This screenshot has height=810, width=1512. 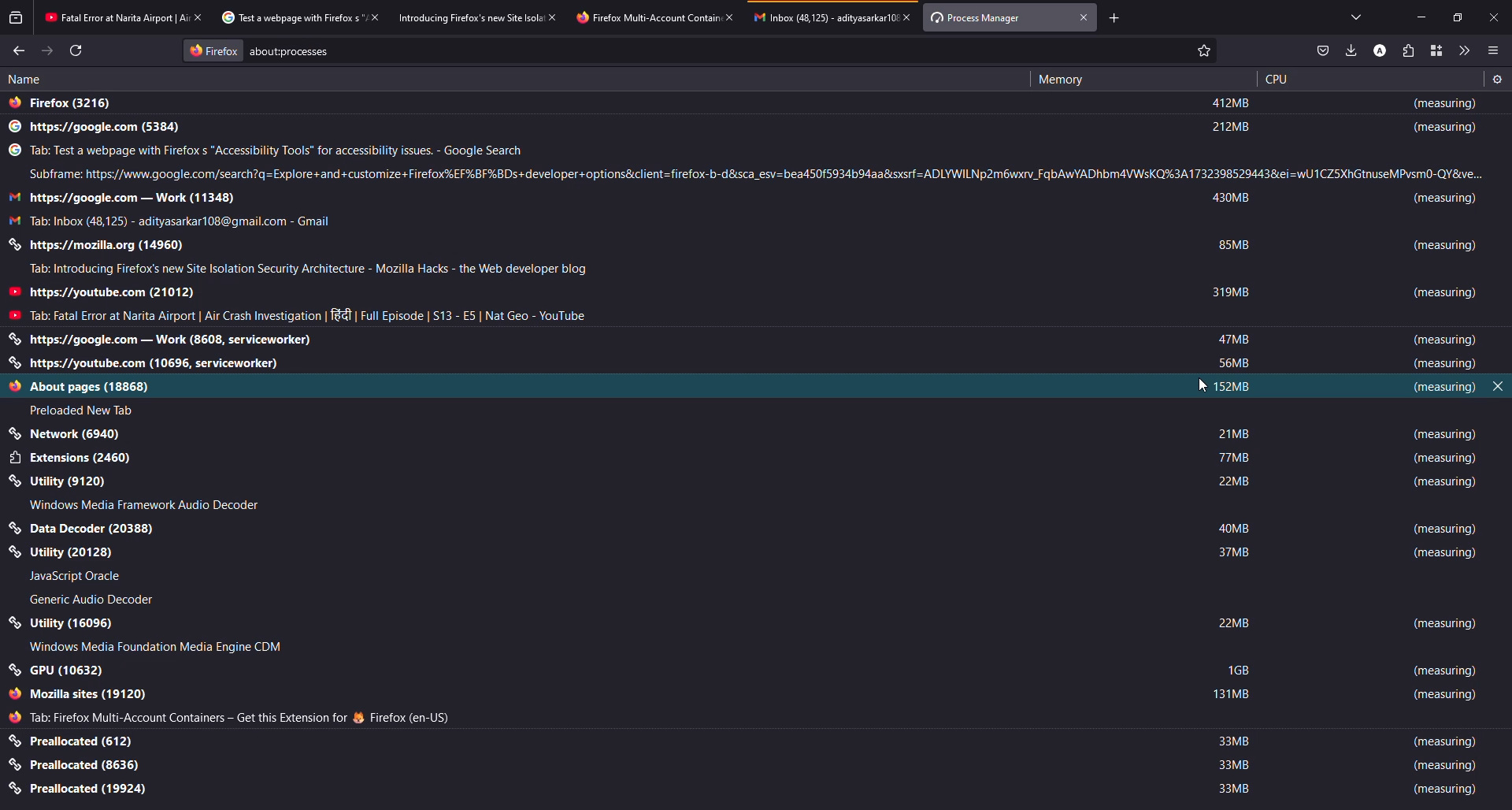 What do you see at coordinates (1232, 340) in the screenshot?
I see `47 mb` at bounding box center [1232, 340].